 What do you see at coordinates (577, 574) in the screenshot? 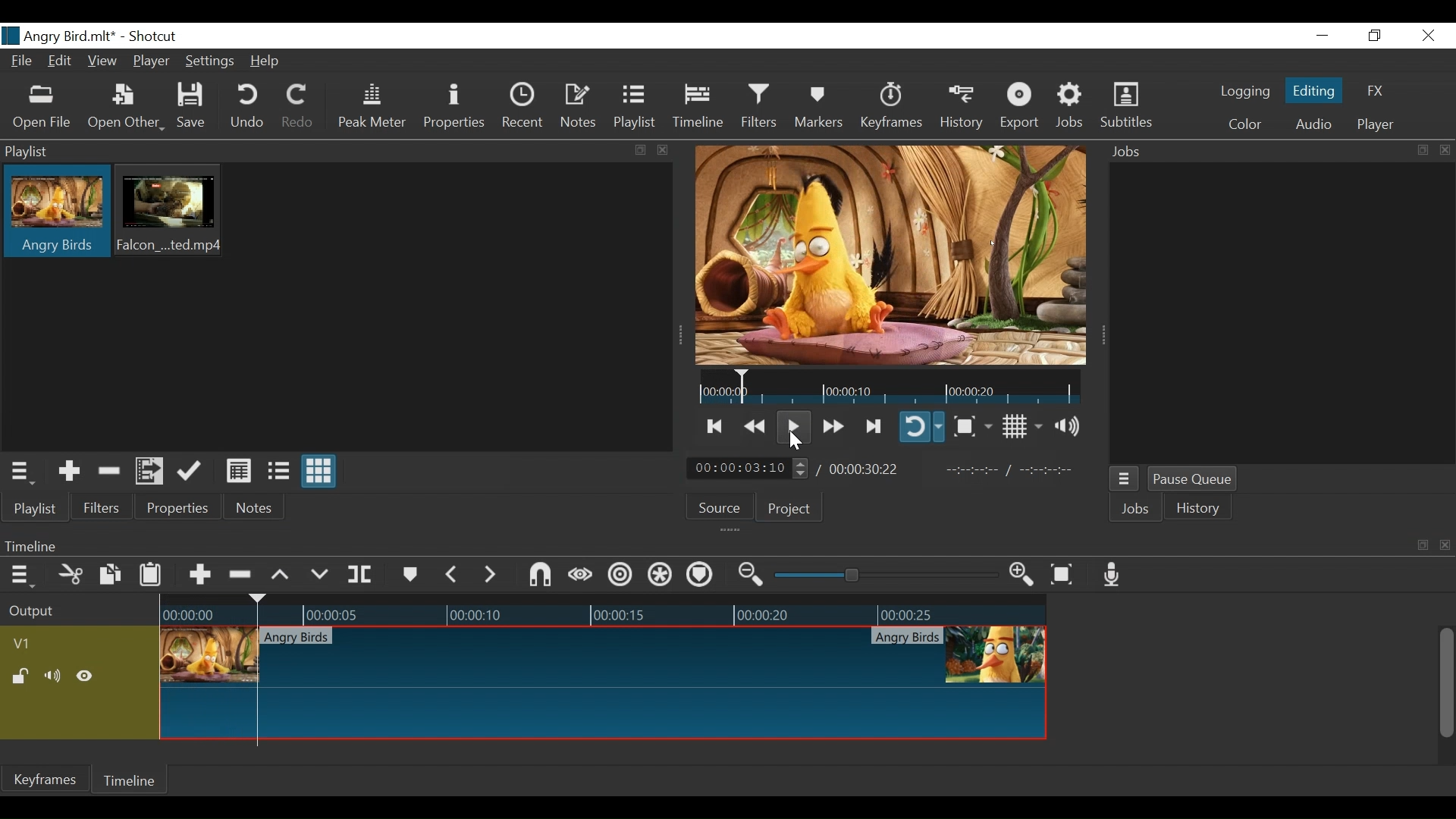
I see `Scrub while dragging` at bounding box center [577, 574].